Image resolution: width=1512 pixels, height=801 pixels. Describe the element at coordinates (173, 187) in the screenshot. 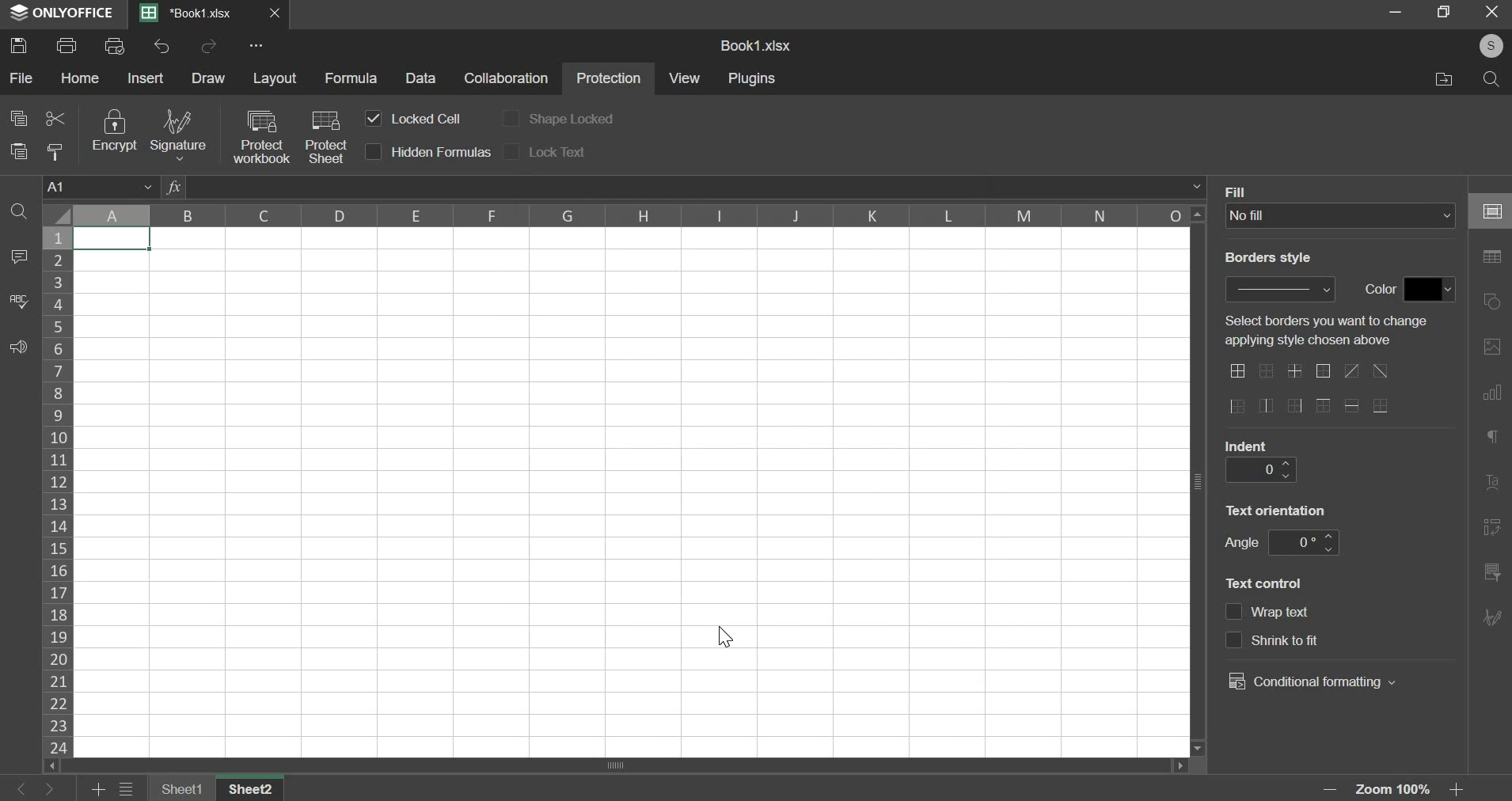

I see `fx` at that location.